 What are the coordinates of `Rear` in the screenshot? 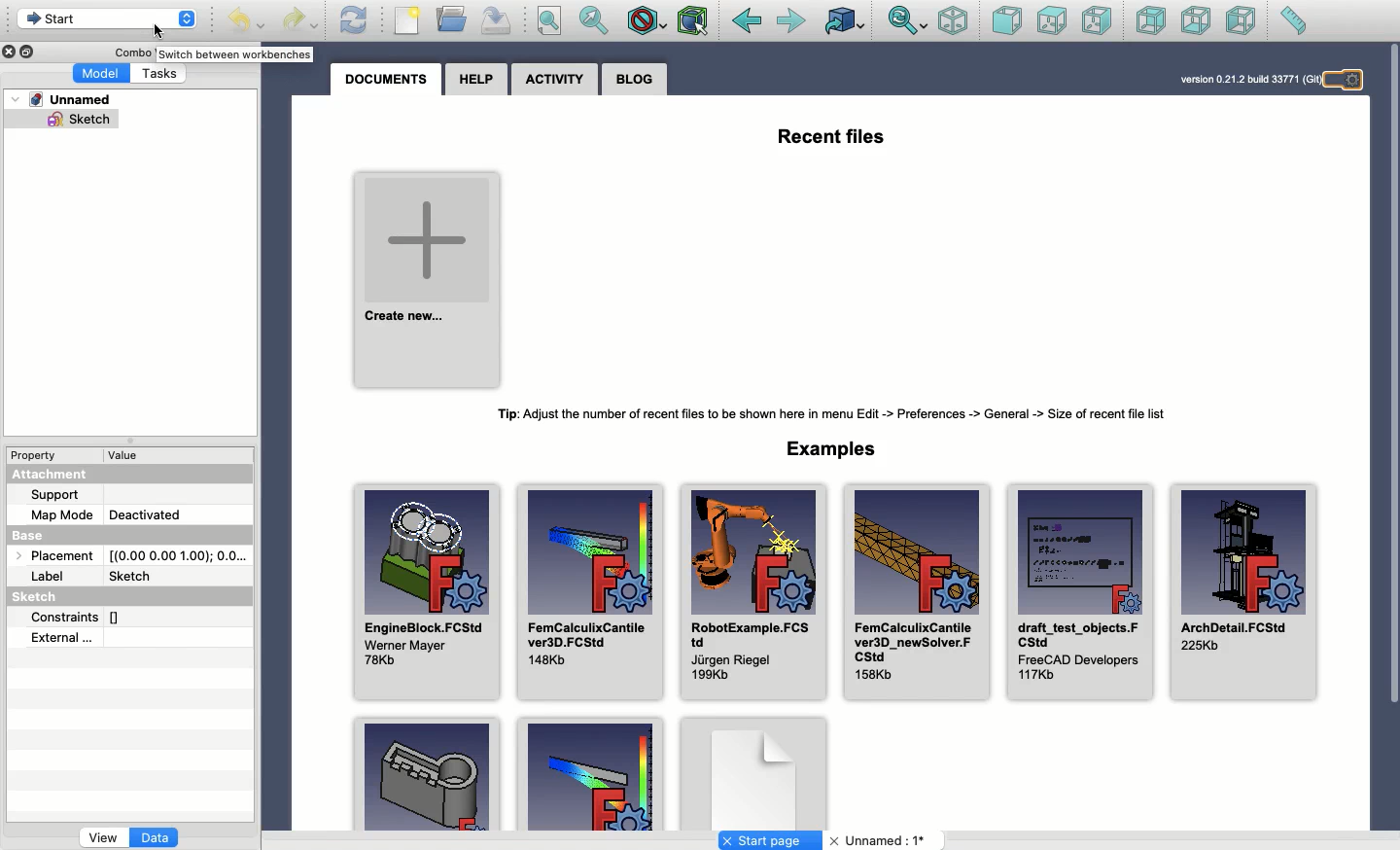 It's located at (1151, 20).